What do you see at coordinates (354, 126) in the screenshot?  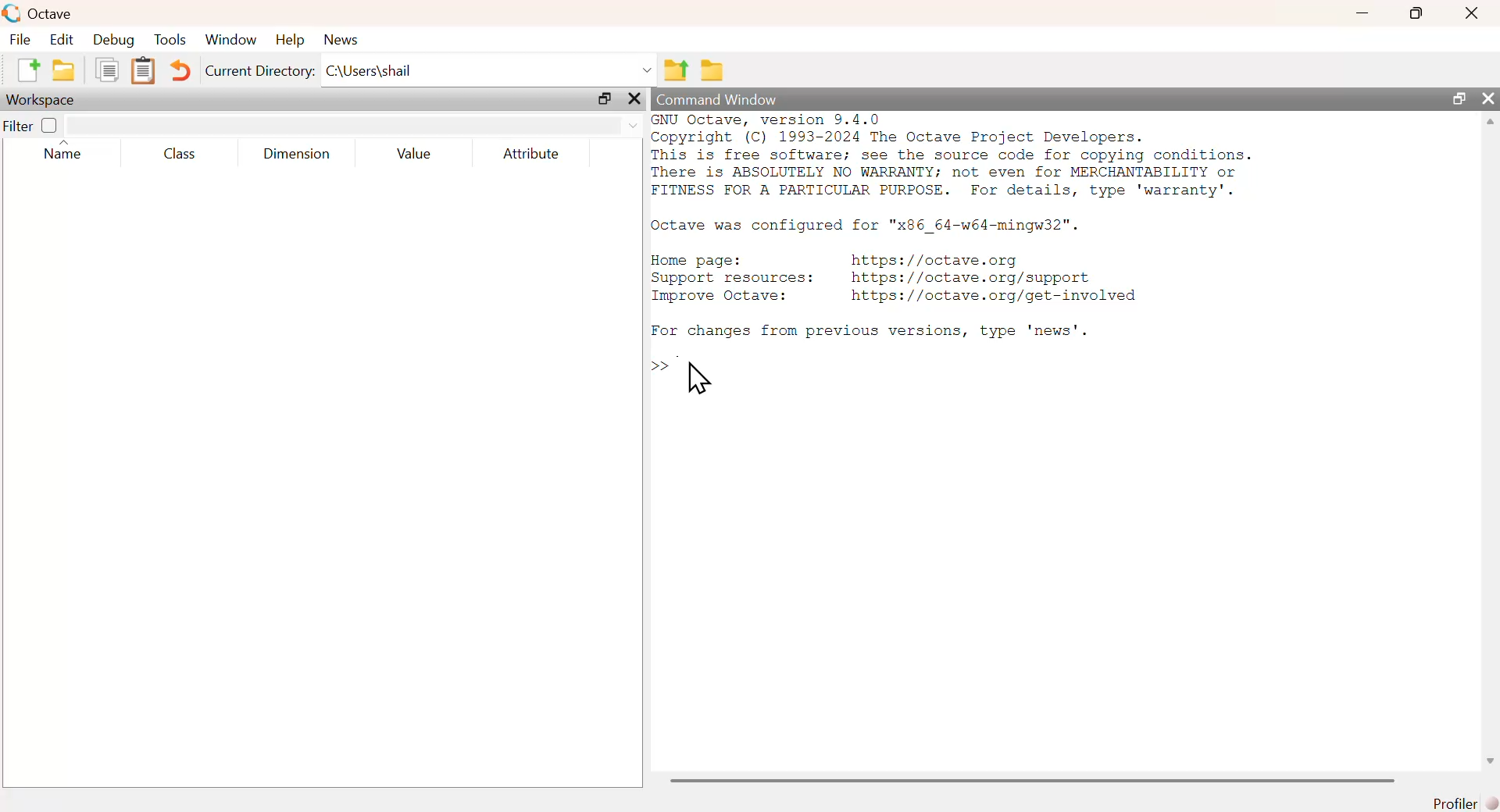 I see `filter` at bounding box center [354, 126].